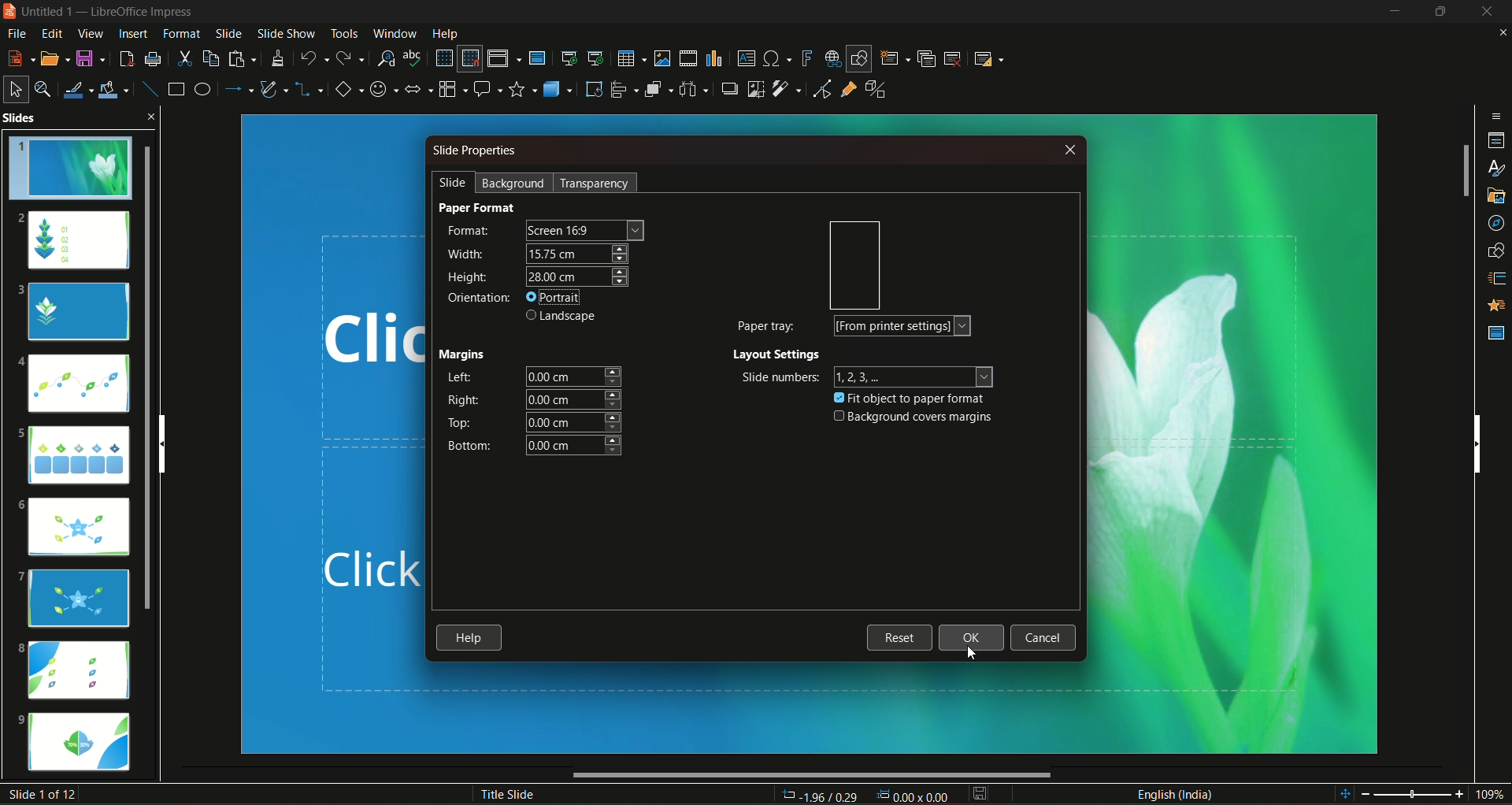 This screenshot has width=1512, height=805. What do you see at coordinates (1492, 306) in the screenshot?
I see `animation` at bounding box center [1492, 306].